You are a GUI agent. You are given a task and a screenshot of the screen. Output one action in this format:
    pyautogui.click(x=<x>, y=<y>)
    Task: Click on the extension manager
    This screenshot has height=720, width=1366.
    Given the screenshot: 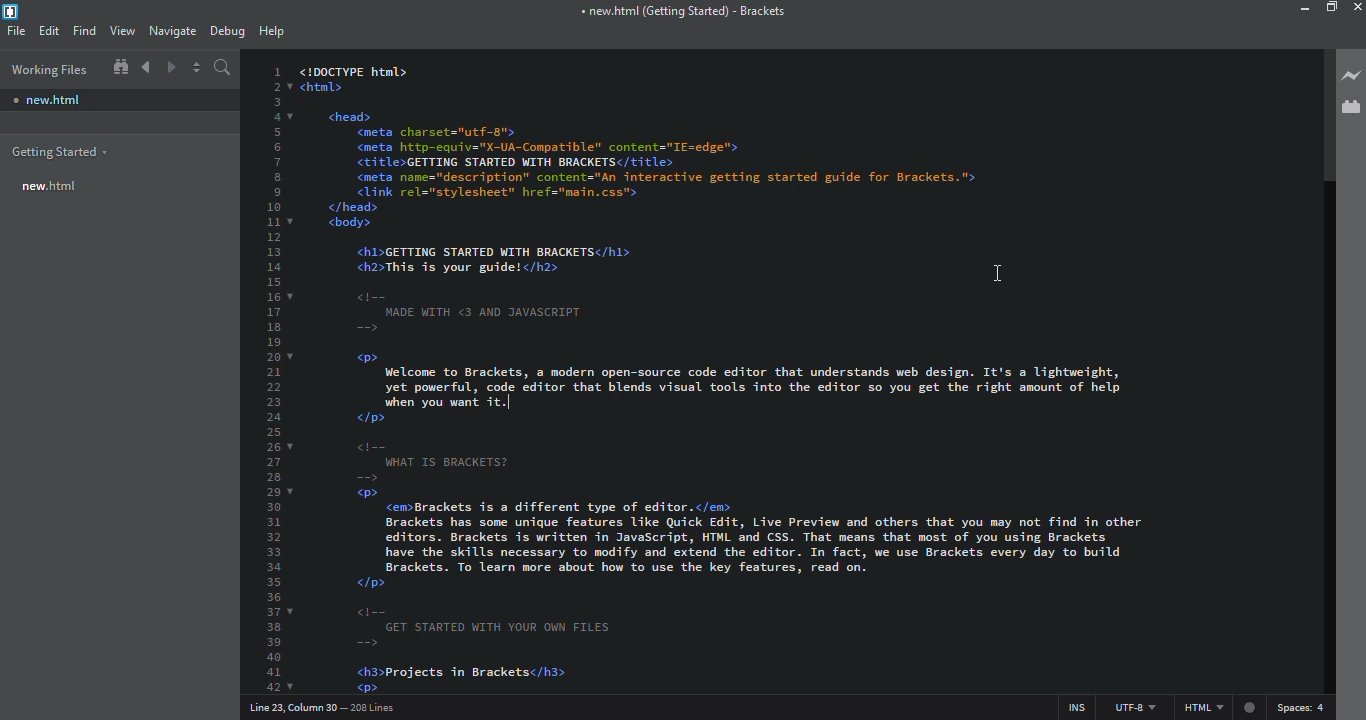 What is the action you would take?
    pyautogui.click(x=1352, y=106)
    